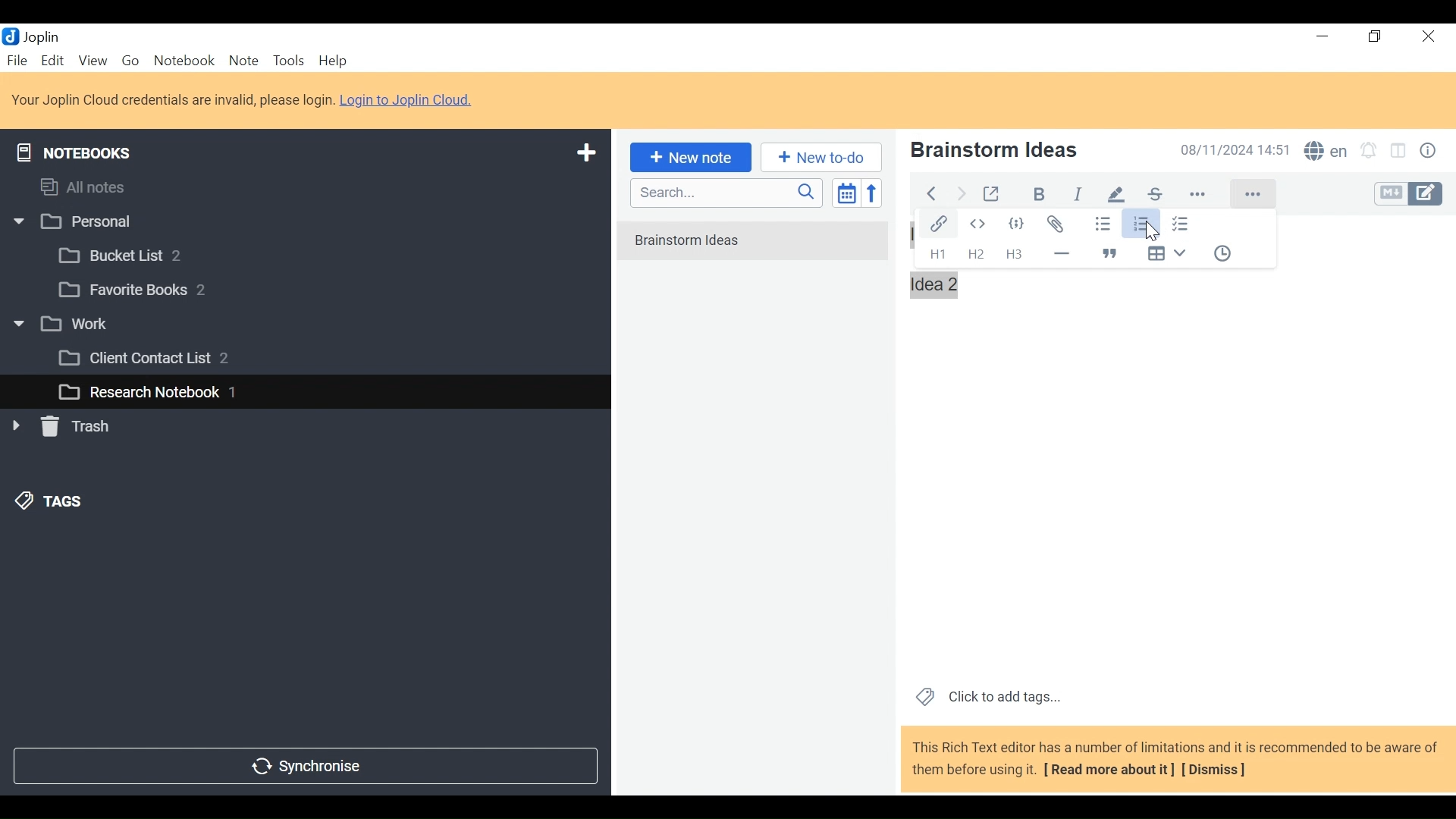 The width and height of the screenshot is (1456, 819). What do you see at coordinates (186, 60) in the screenshot?
I see `Notebook` at bounding box center [186, 60].